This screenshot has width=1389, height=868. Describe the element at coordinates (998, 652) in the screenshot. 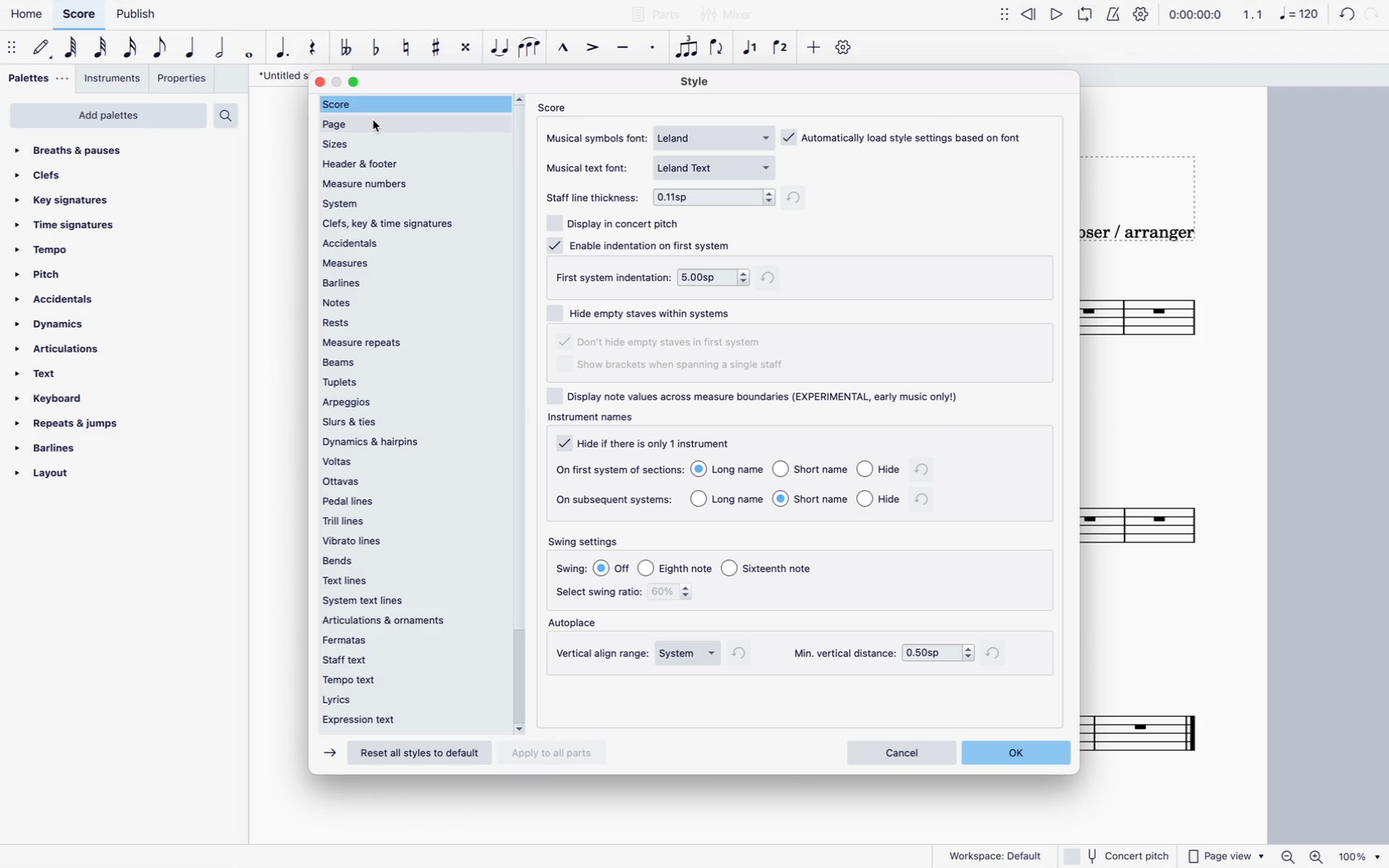

I see `refresh` at that location.